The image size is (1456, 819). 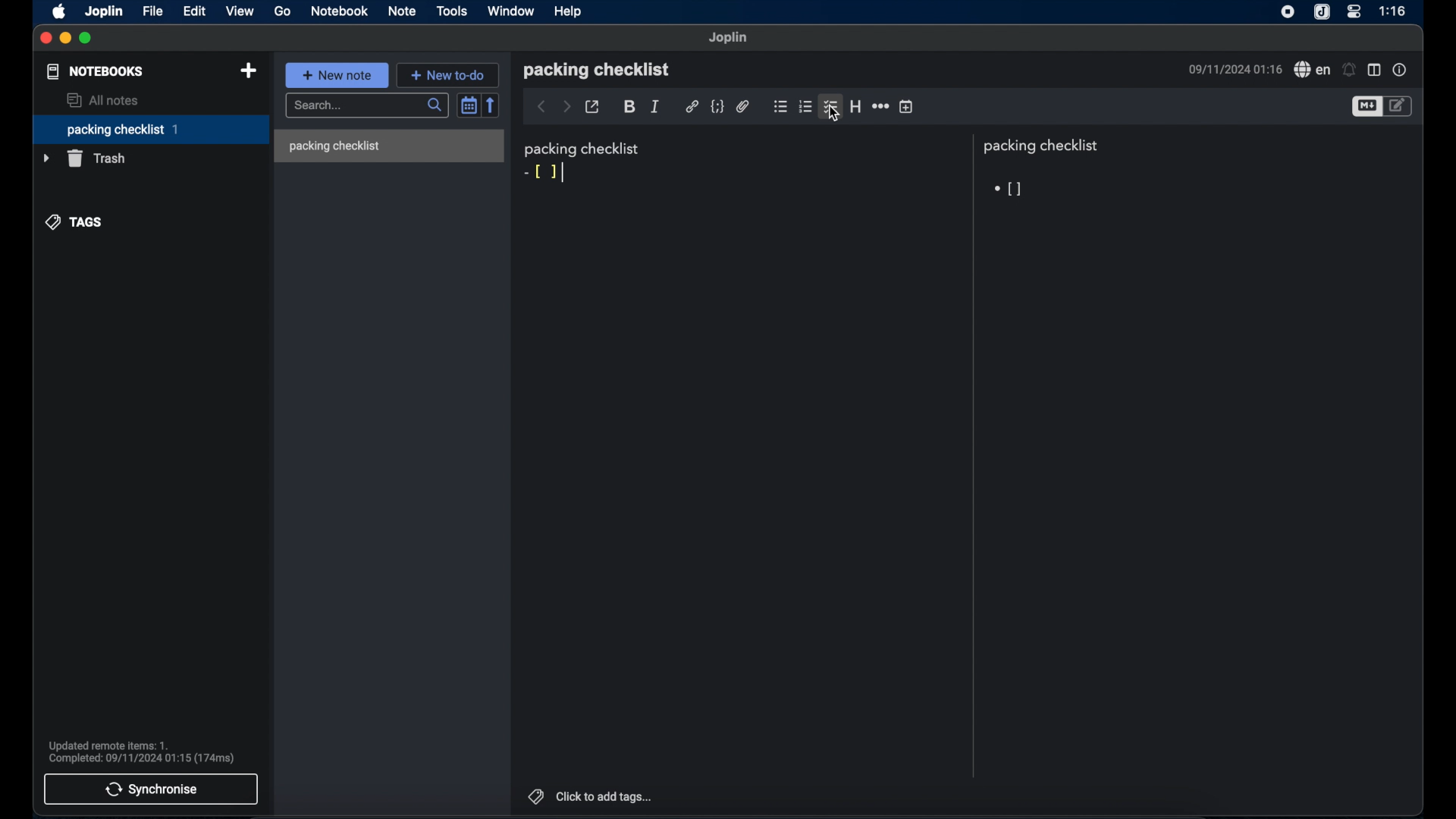 I want to click on code, so click(x=717, y=106).